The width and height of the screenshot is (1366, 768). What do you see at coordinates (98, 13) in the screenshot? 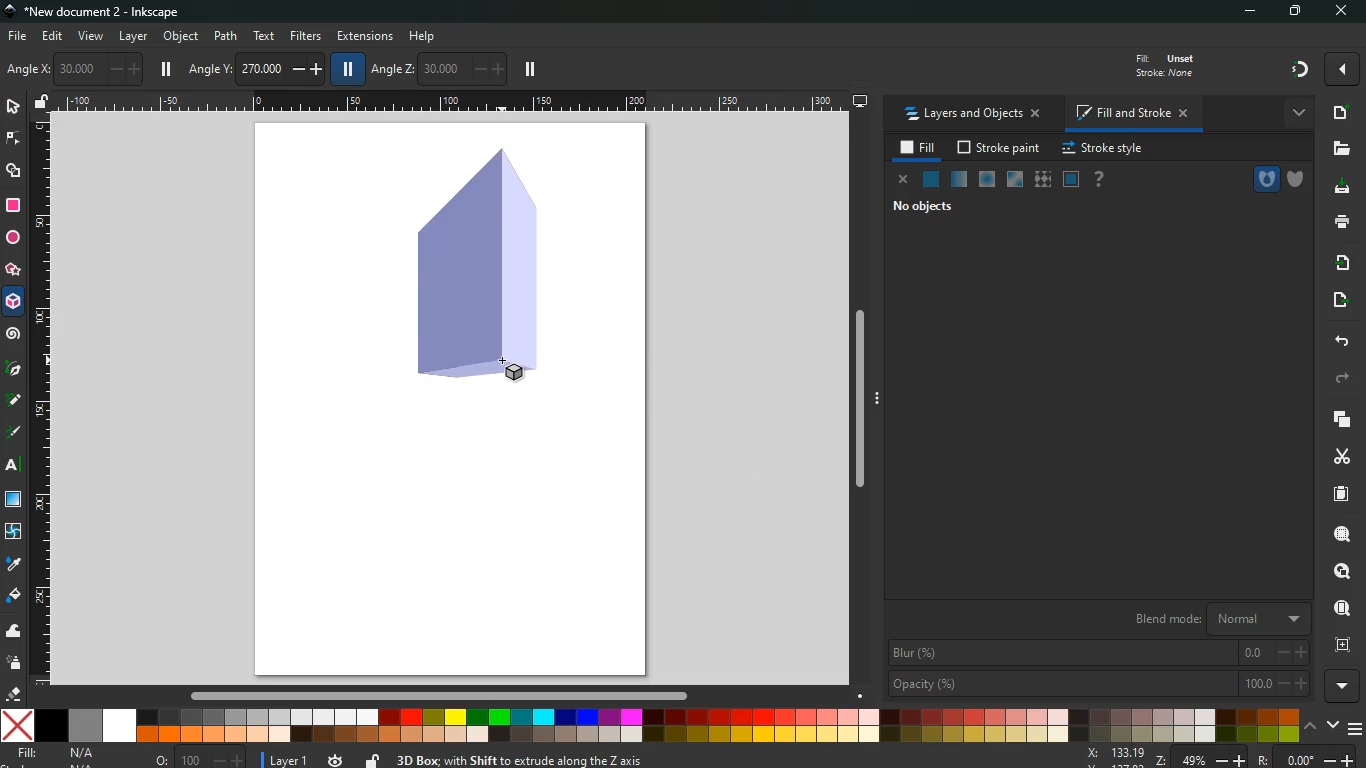
I see `inkscape` at bounding box center [98, 13].